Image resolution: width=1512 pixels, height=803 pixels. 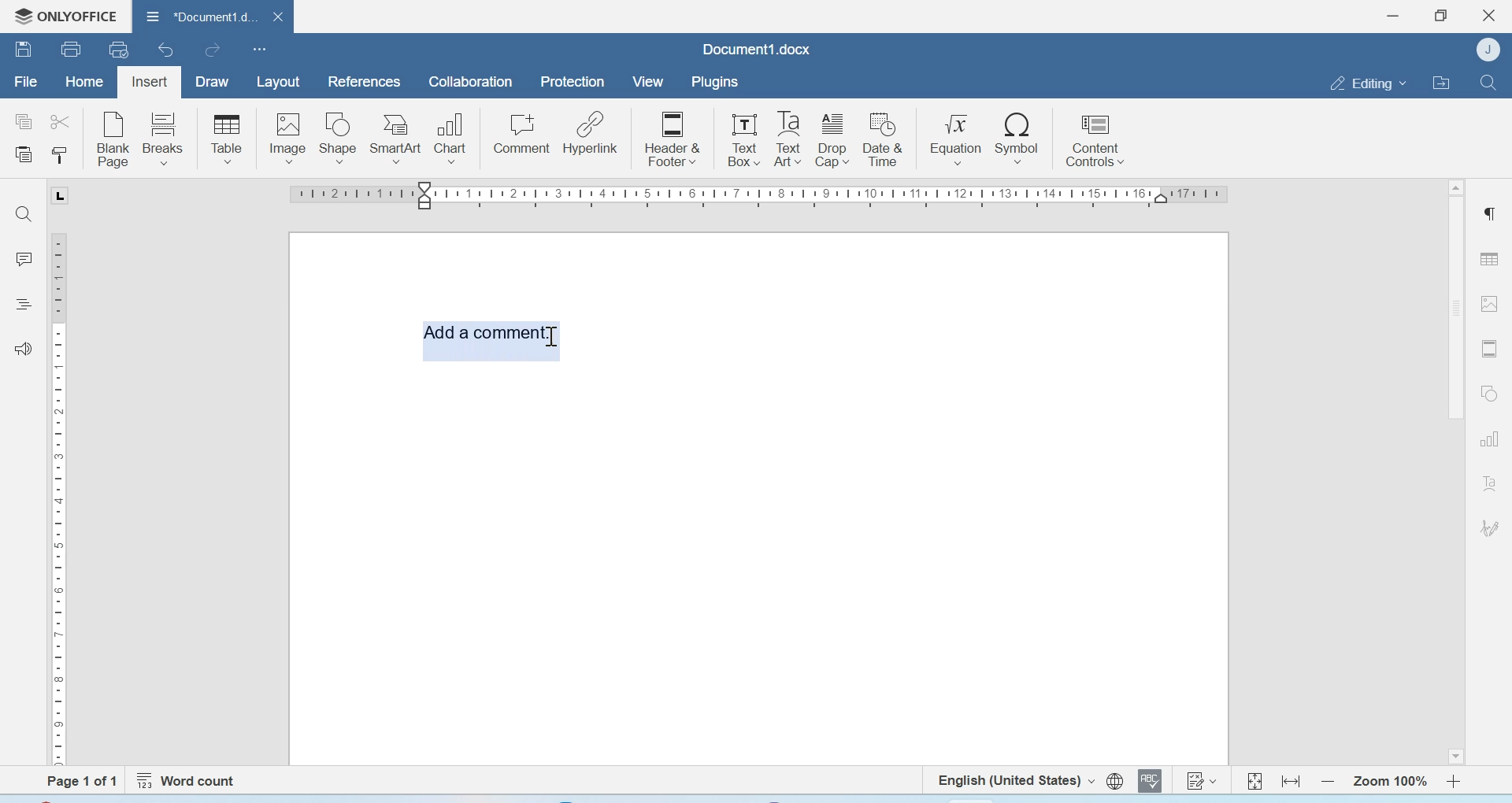 I want to click on Plugins, so click(x=713, y=82).